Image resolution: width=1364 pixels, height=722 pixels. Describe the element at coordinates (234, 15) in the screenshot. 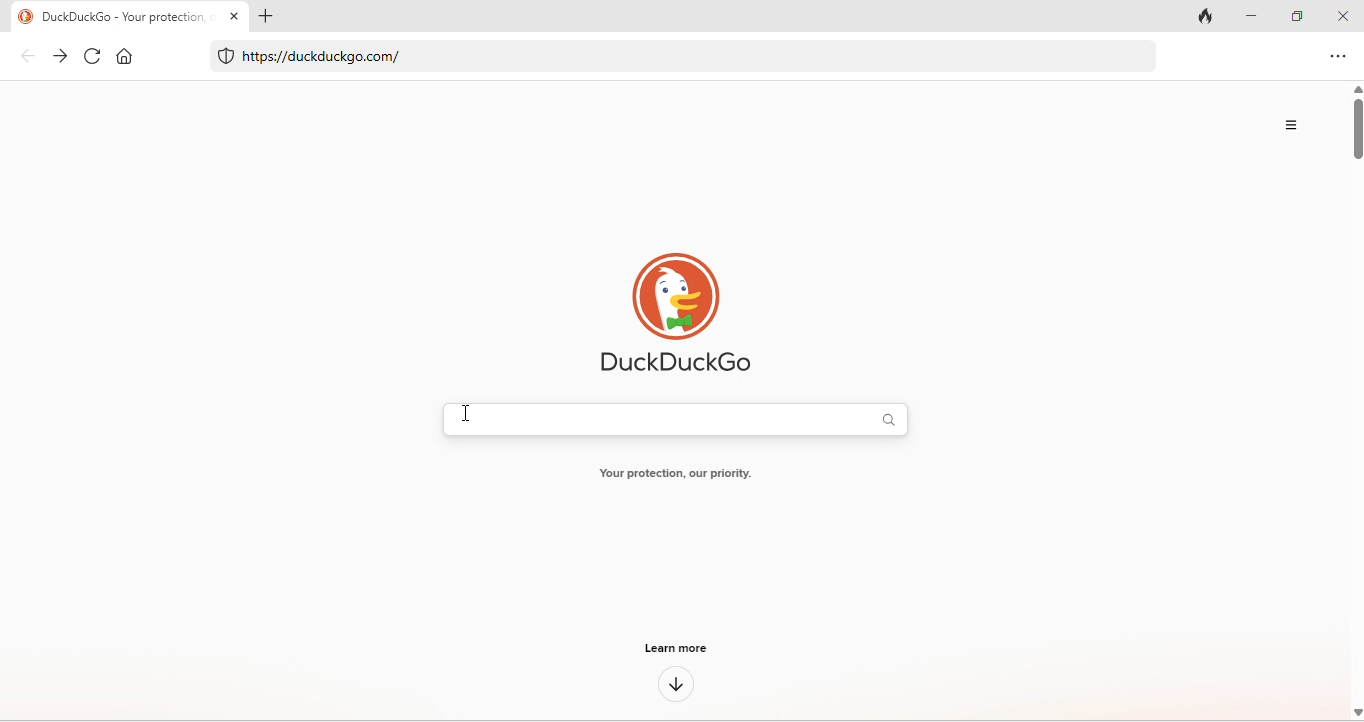

I see `close` at that location.